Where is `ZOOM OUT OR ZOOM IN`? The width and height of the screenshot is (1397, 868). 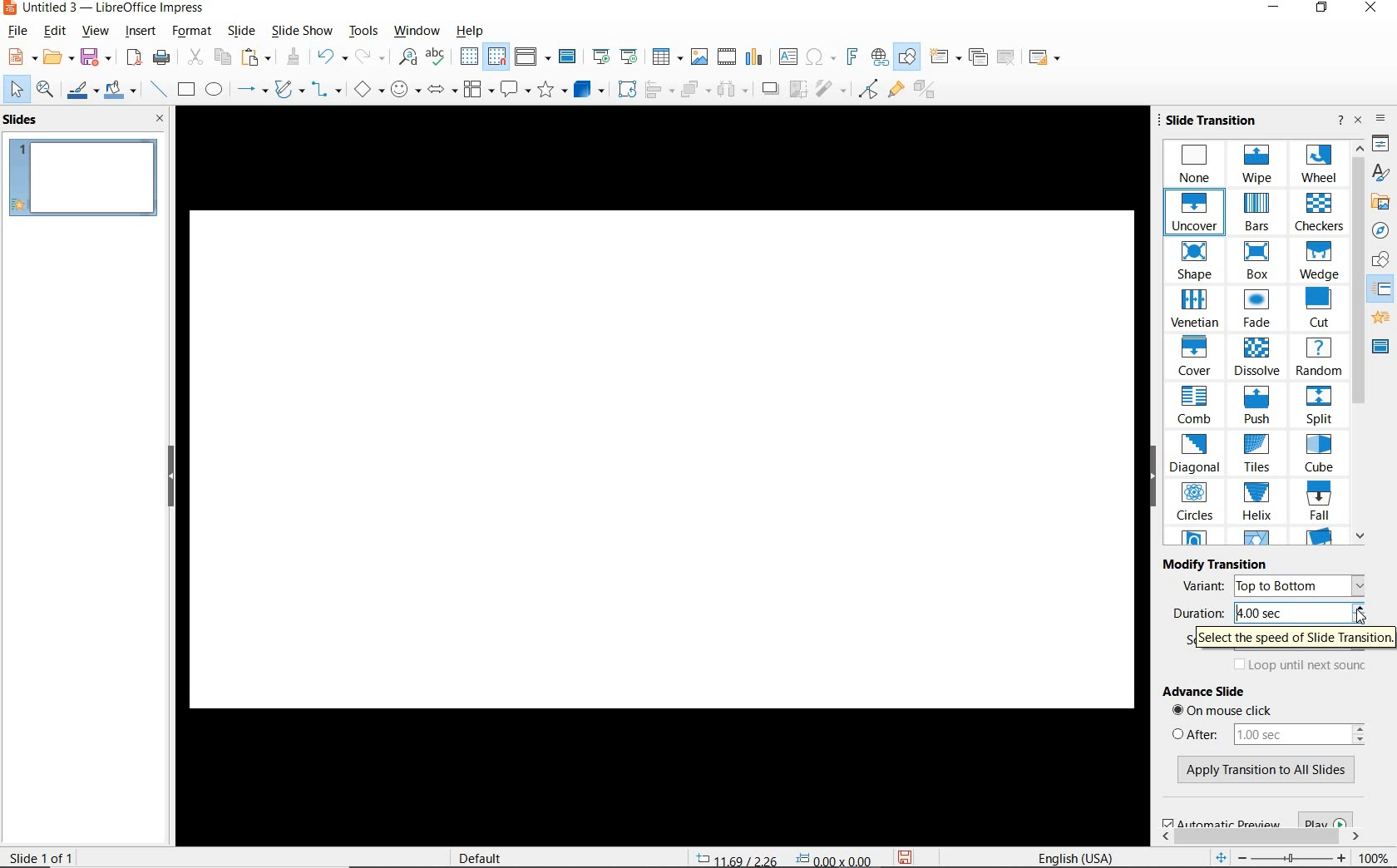
ZOOM OUT OR ZOOM IN is located at coordinates (1278, 855).